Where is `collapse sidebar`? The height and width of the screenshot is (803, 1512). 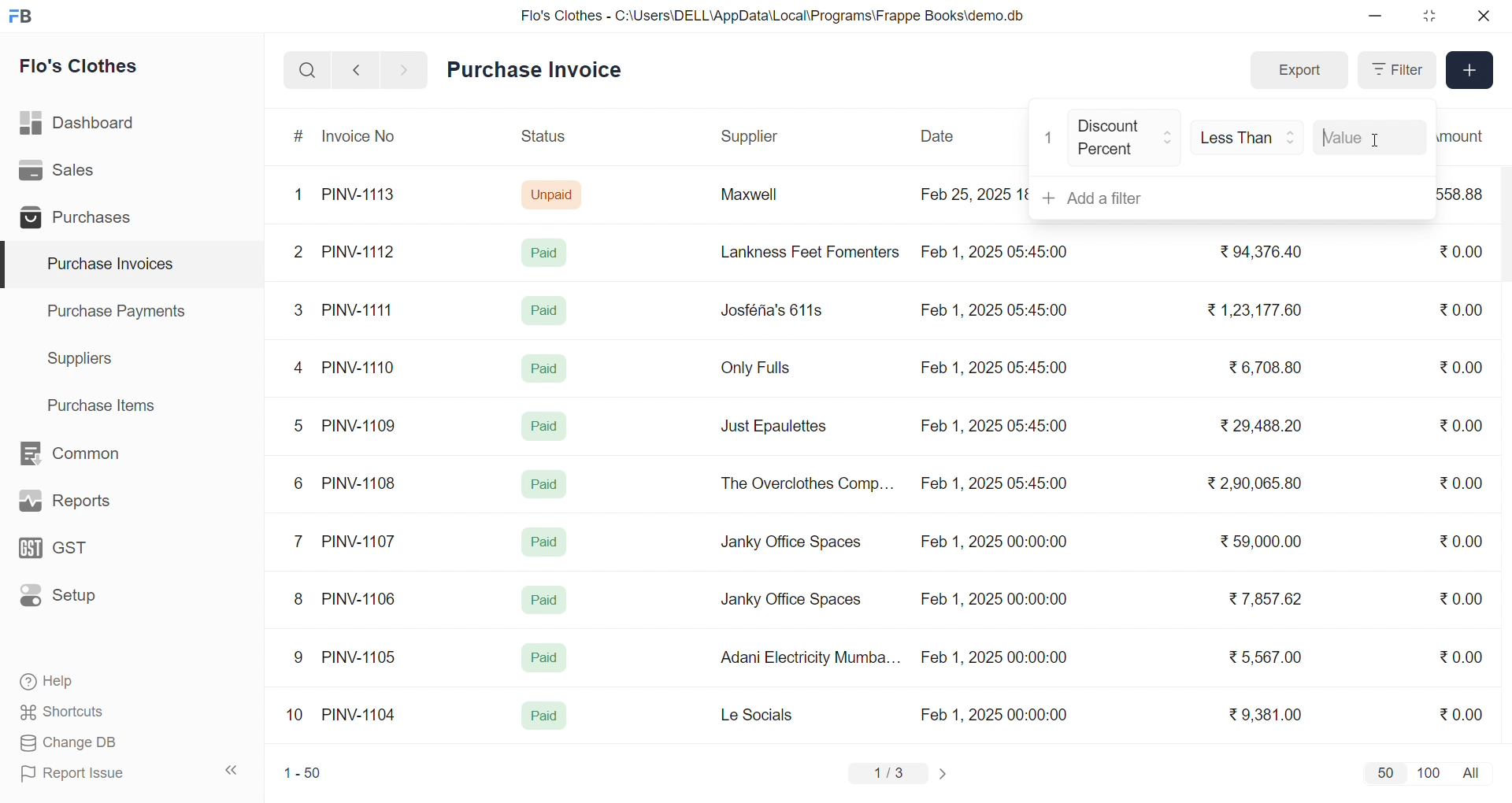 collapse sidebar is located at coordinates (232, 771).